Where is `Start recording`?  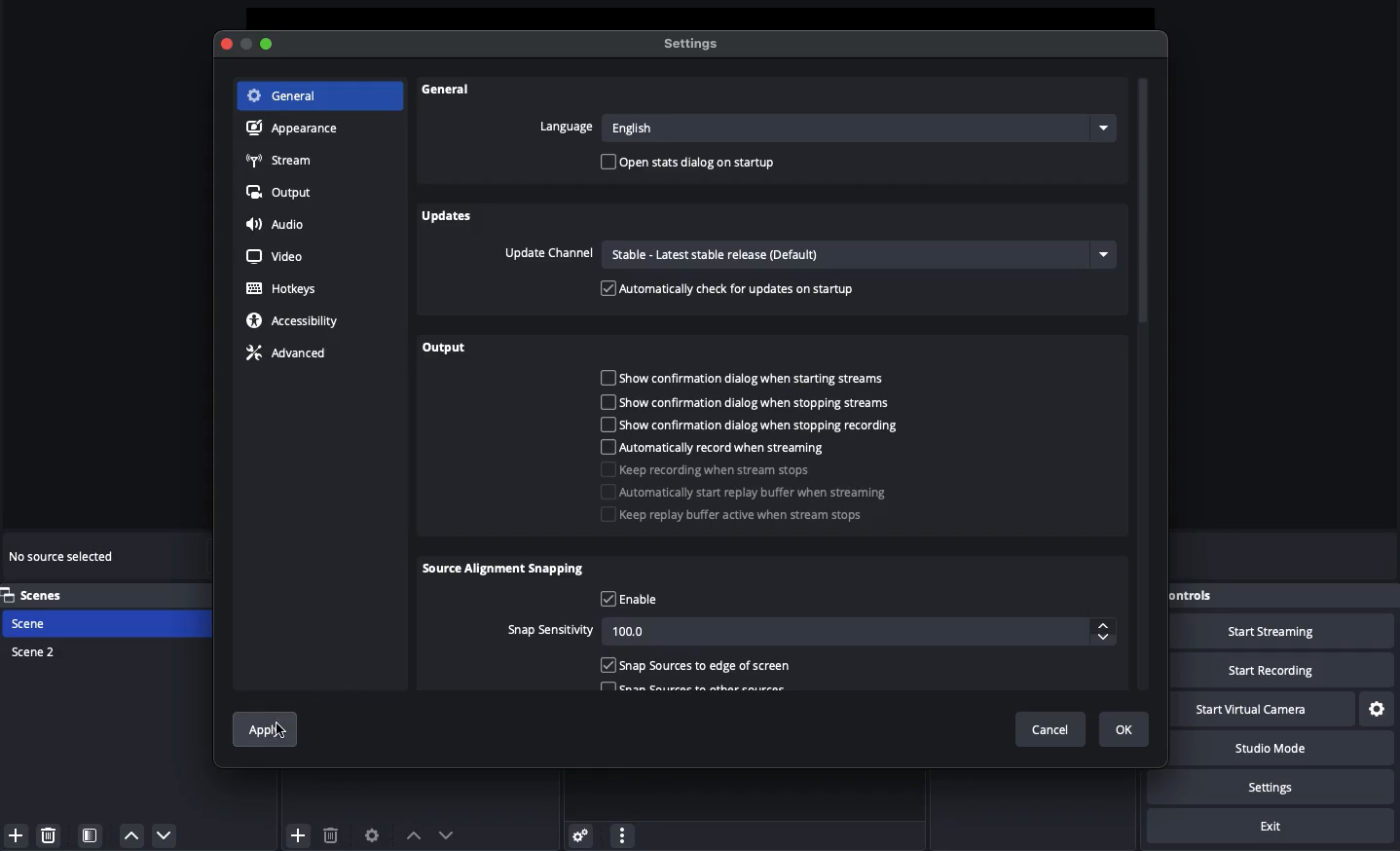
Start recording is located at coordinates (1295, 671).